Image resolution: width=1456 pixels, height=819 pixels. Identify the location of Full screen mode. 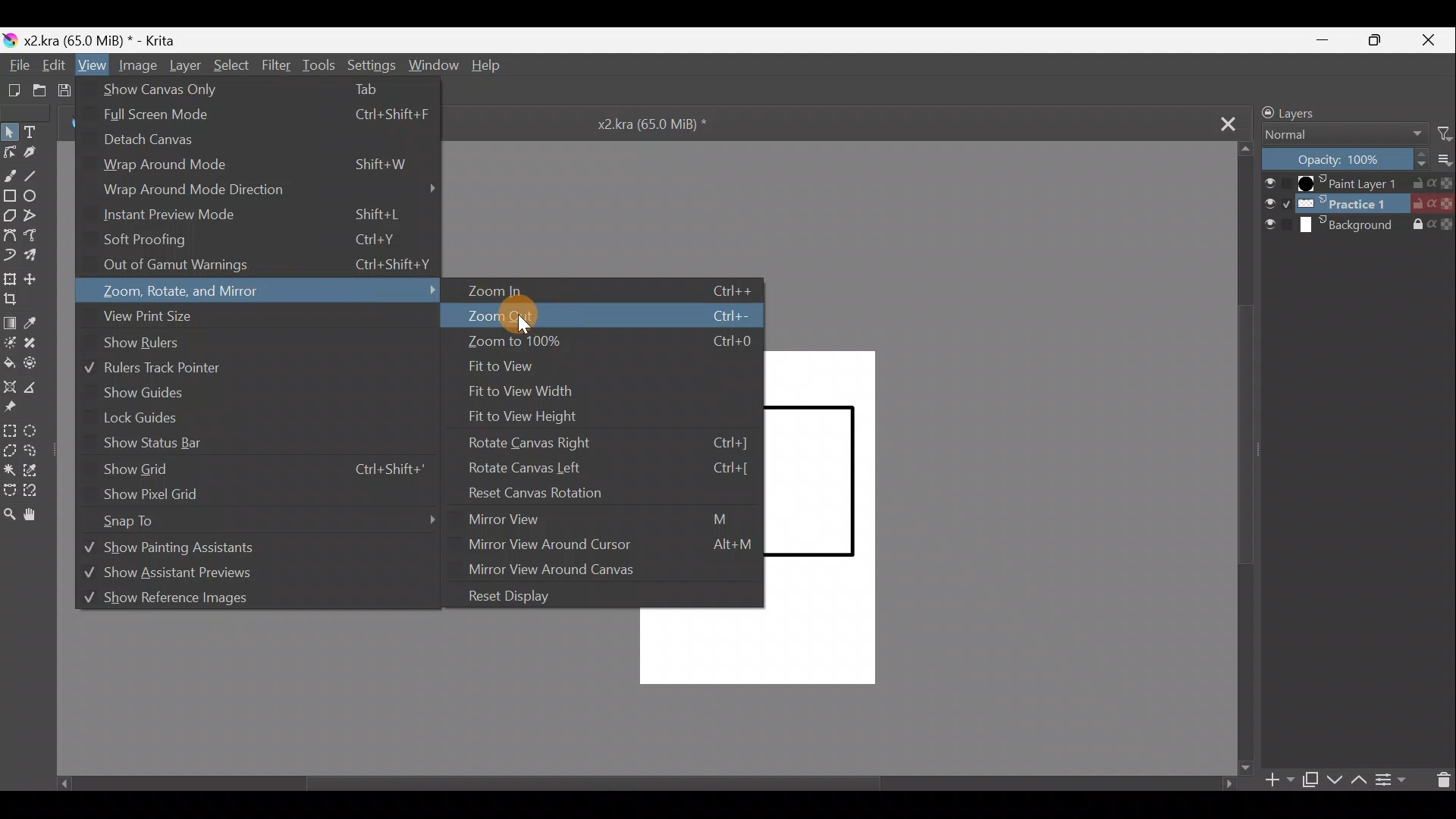
(262, 118).